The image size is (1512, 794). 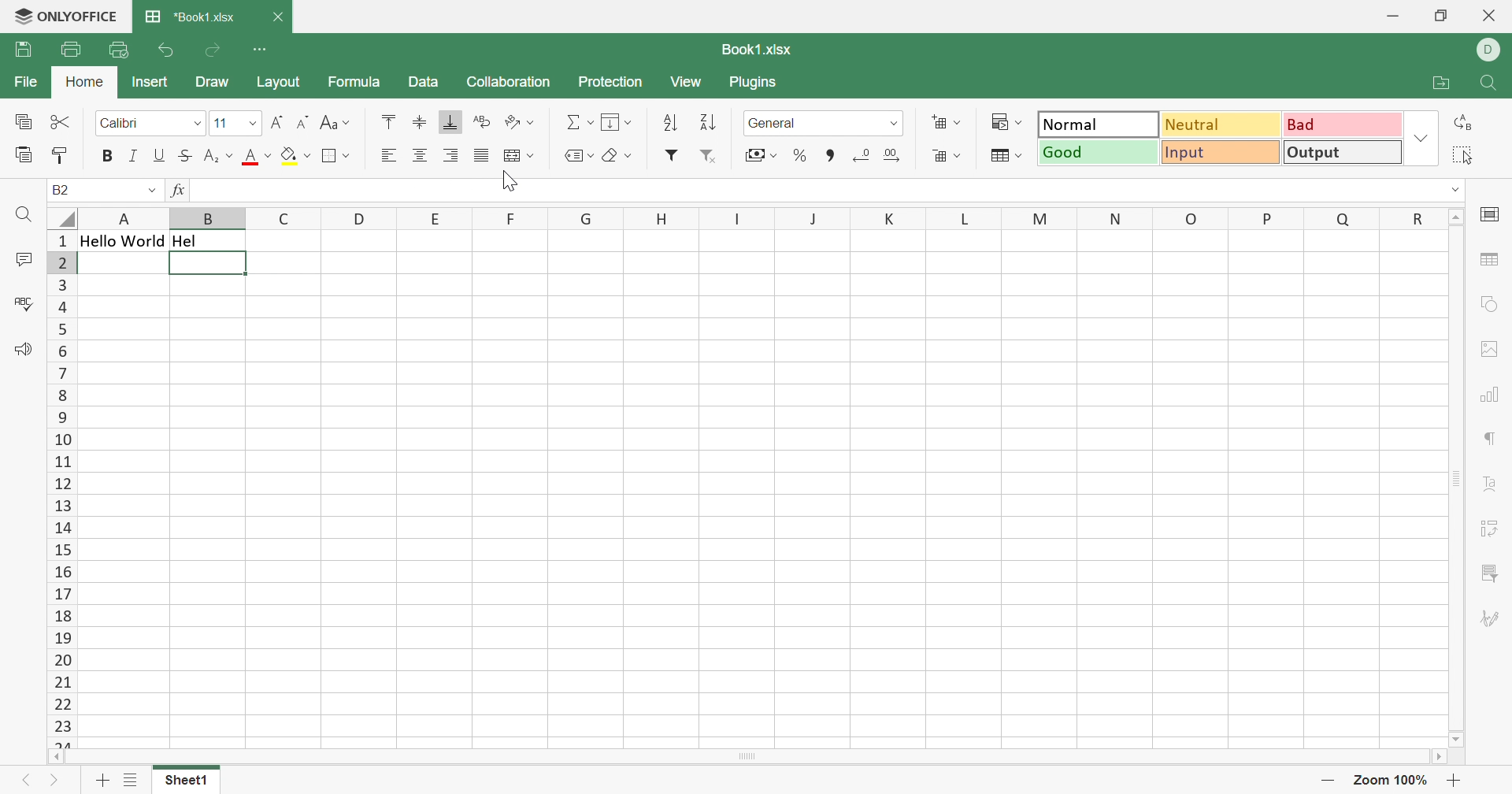 What do you see at coordinates (506, 82) in the screenshot?
I see `Collaboration` at bounding box center [506, 82].